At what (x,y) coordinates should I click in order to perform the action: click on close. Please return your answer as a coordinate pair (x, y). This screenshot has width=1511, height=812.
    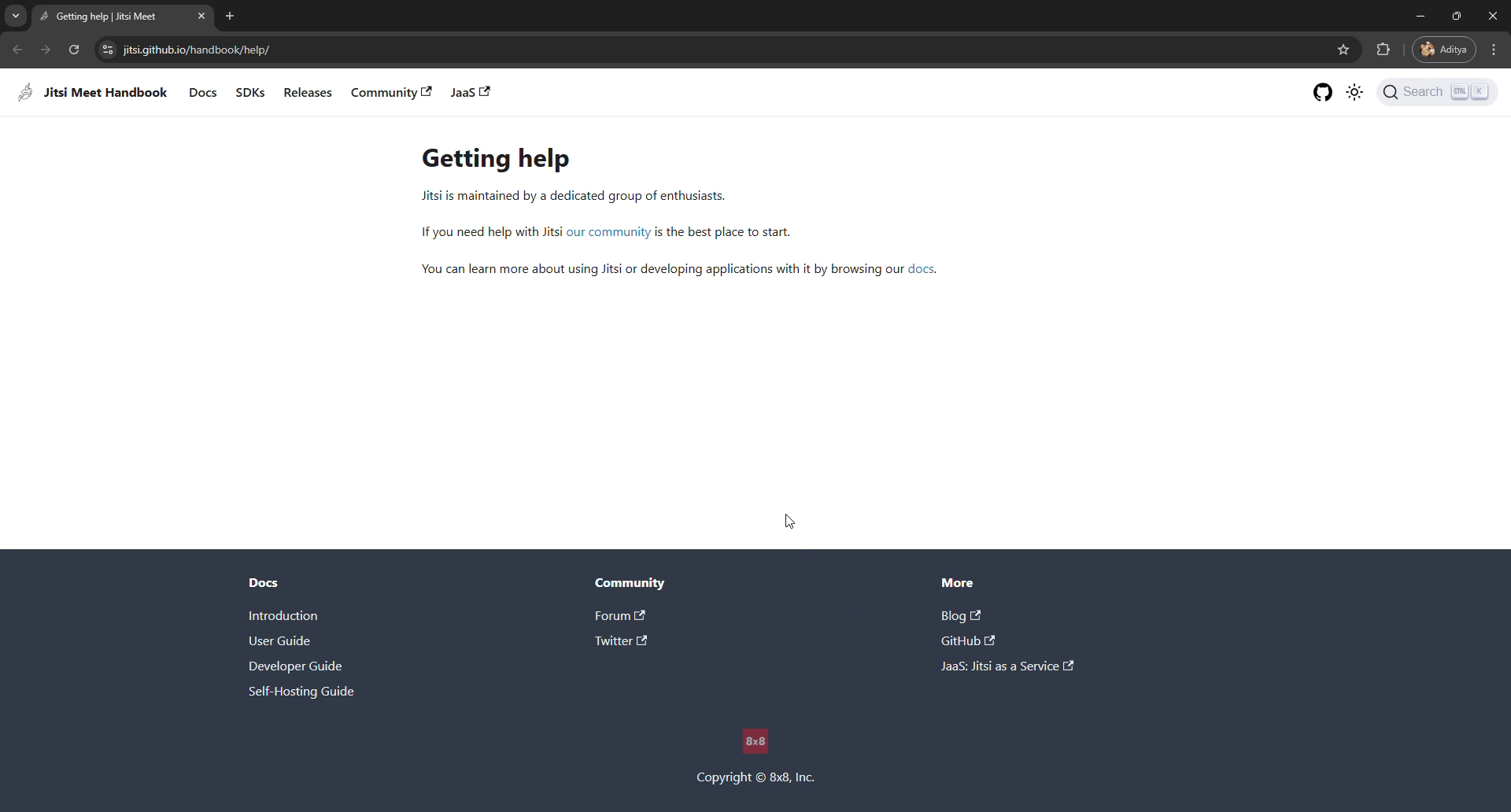
    Looking at the image, I should click on (1495, 16).